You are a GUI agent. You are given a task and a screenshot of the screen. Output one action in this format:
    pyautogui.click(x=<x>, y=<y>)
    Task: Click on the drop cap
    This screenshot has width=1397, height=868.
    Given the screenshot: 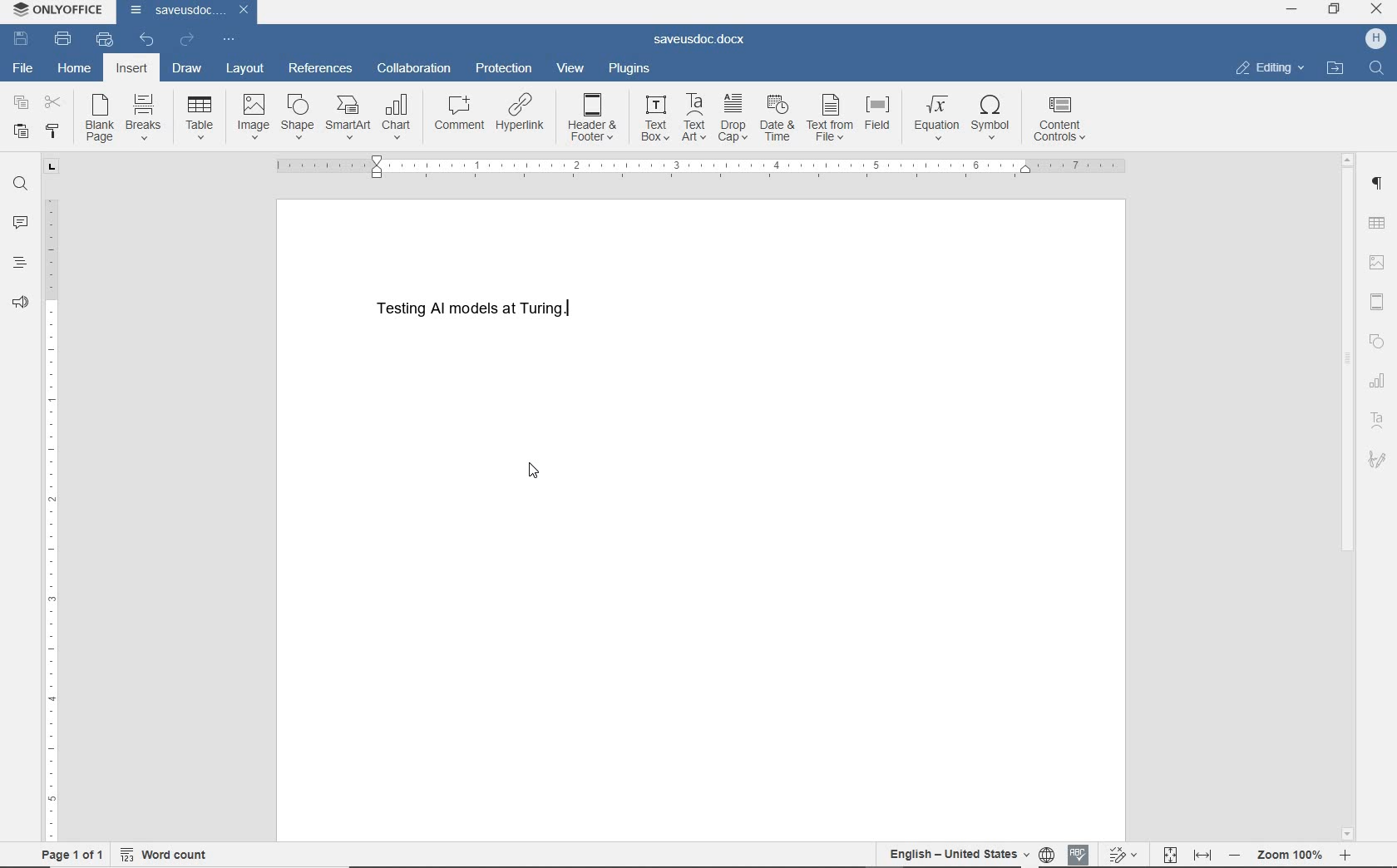 What is the action you would take?
    pyautogui.click(x=732, y=116)
    